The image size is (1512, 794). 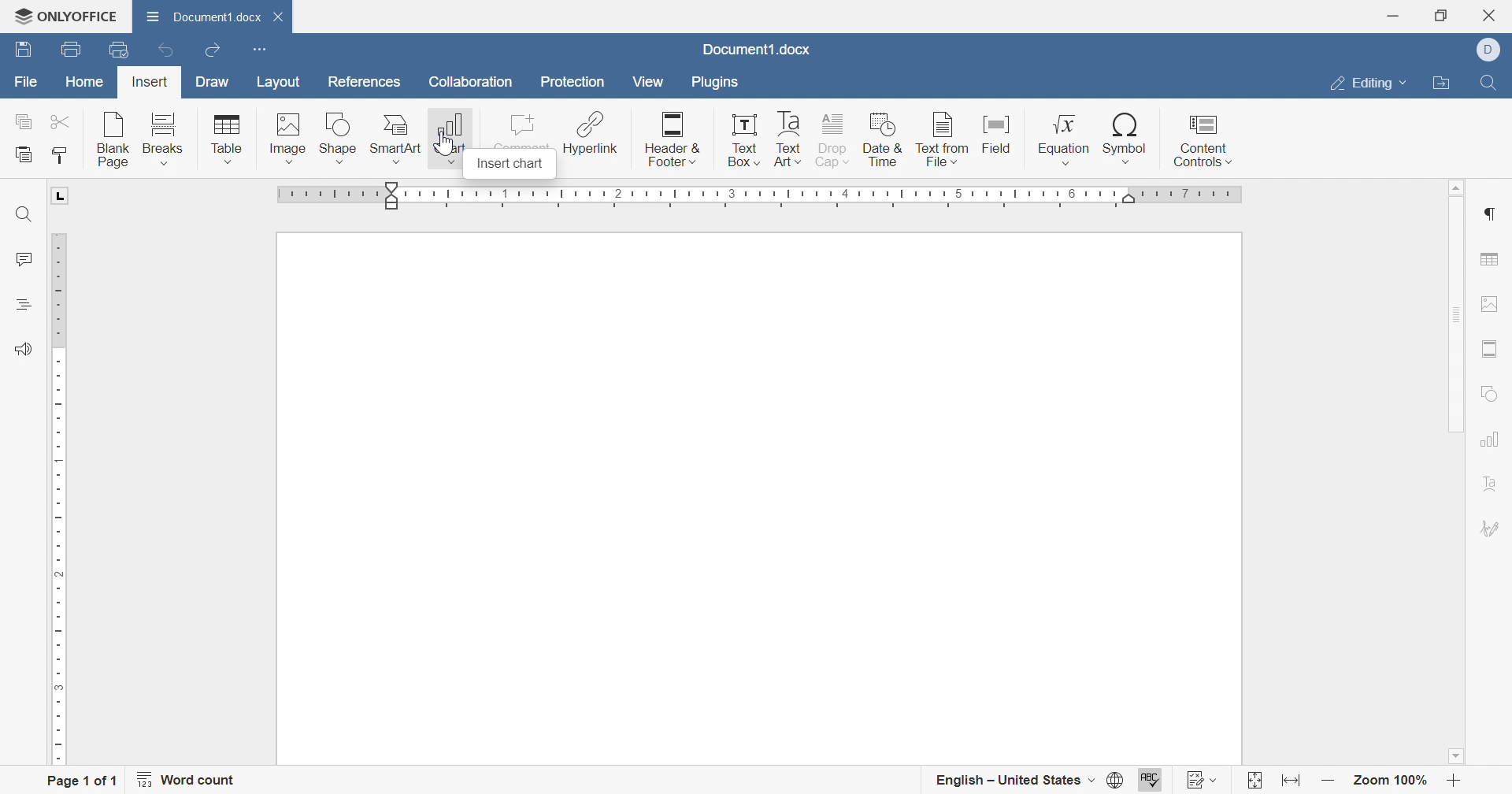 What do you see at coordinates (1491, 15) in the screenshot?
I see `Close` at bounding box center [1491, 15].